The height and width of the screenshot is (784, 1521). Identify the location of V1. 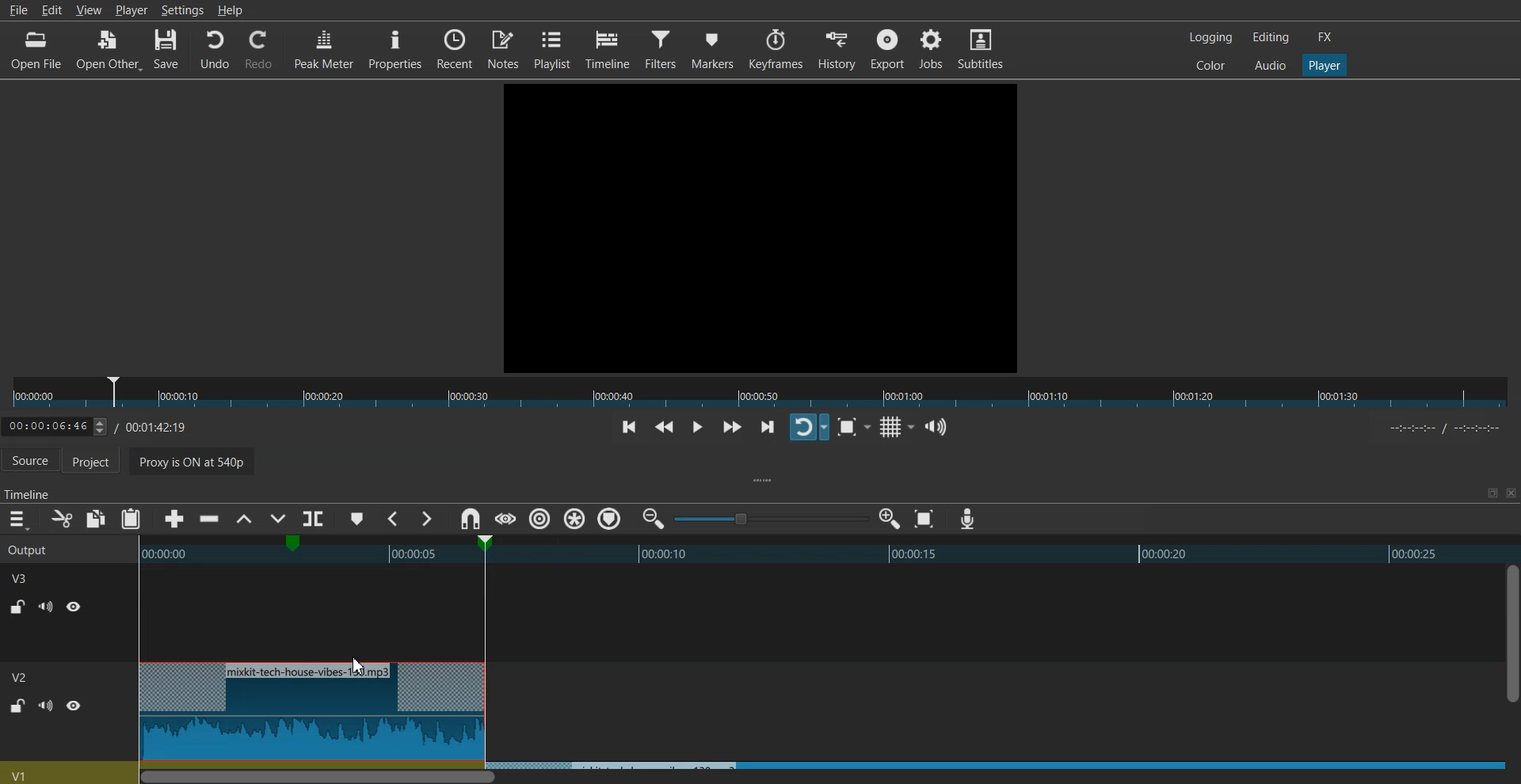
(21, 677).